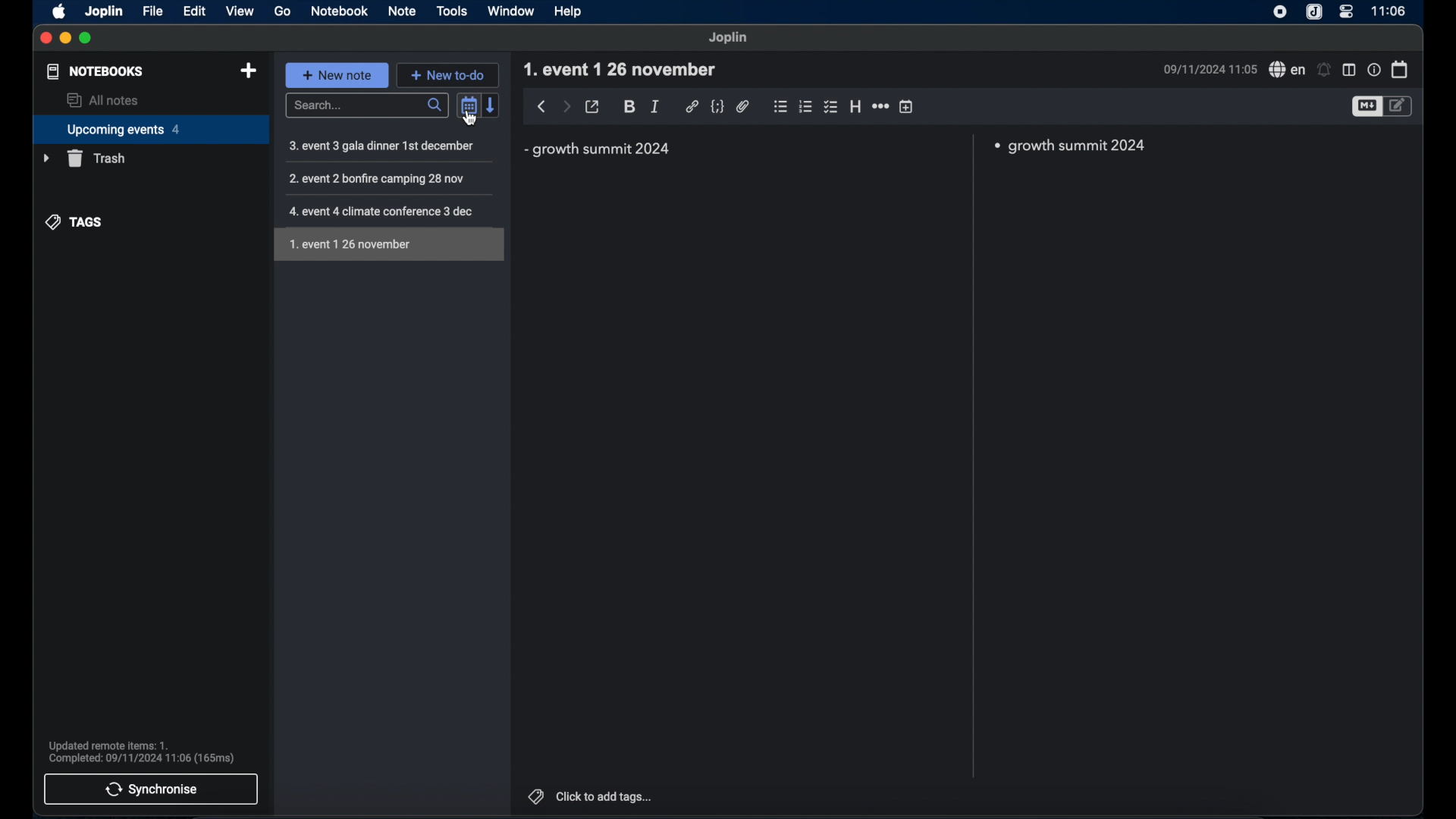 The width and height of the screenshot is (1456, 819). What do you see at coordinates (692, 106) in the screenshot?
I see `hyperlink` at bounding box center [692, 106].